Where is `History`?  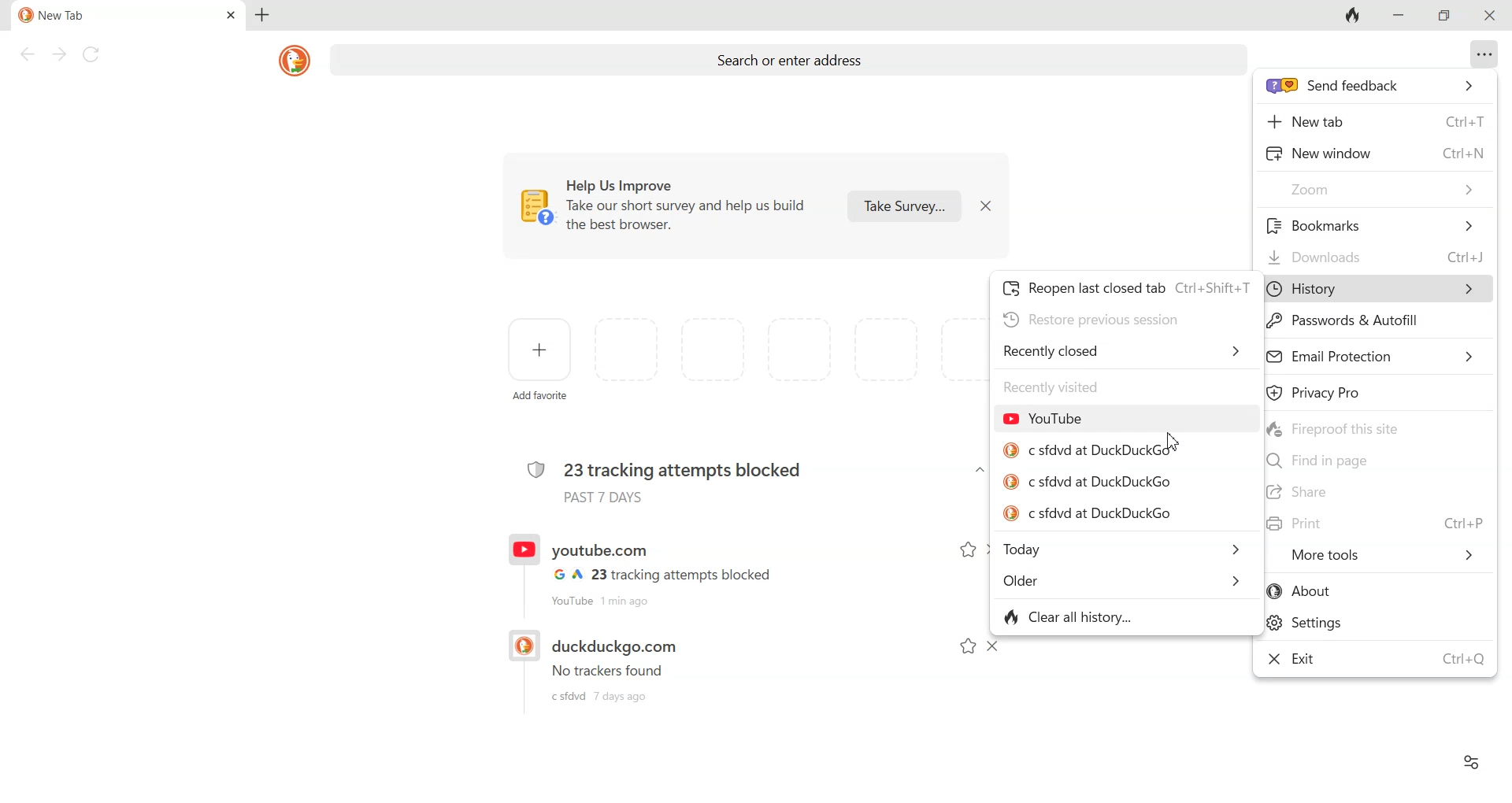 History is located at coordinates (1380, 289).